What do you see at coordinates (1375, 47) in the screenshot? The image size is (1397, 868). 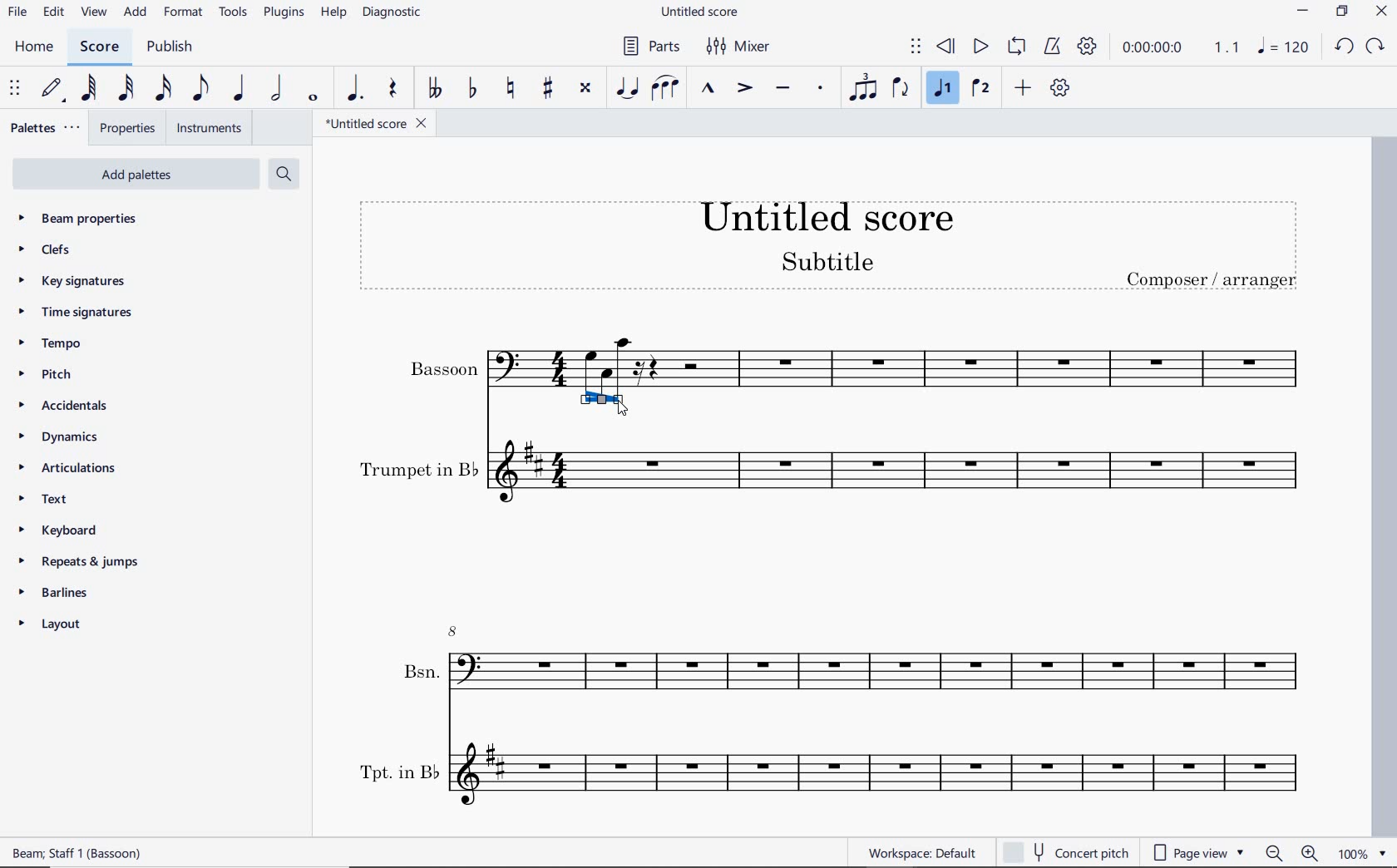 I see `redo` at bounding box center [1375, 47].